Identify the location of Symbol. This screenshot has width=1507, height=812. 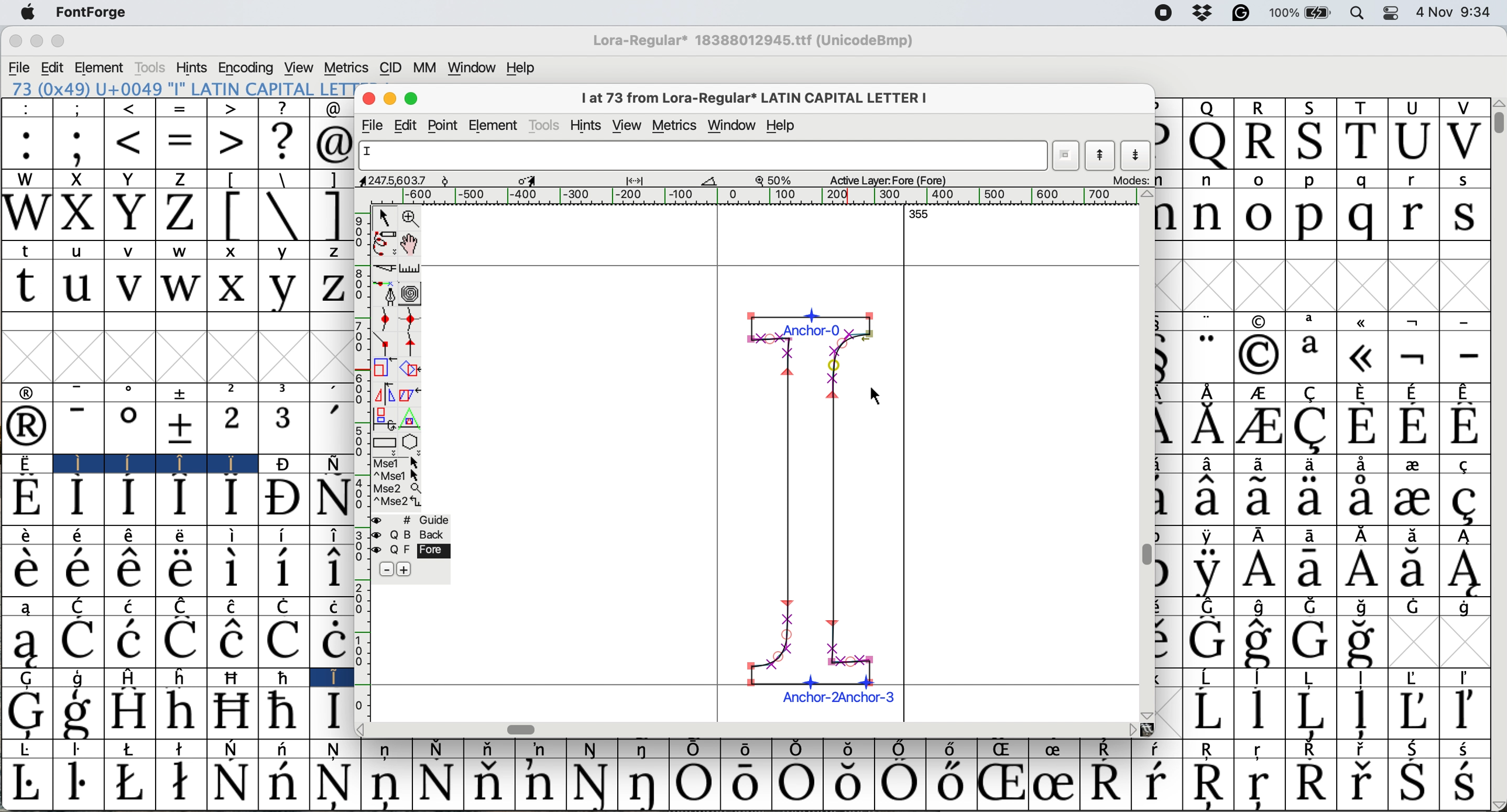
(282, 711).